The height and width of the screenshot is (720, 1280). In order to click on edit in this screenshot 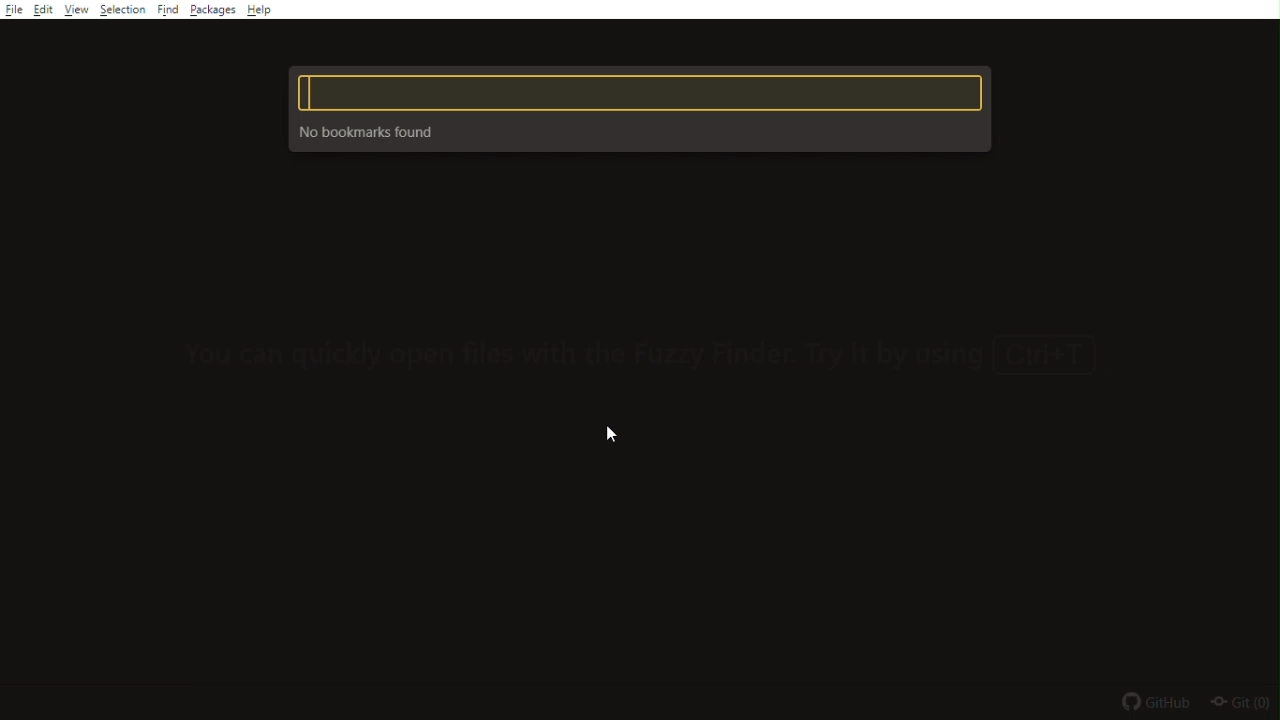, I will do `click(43, 11)`.